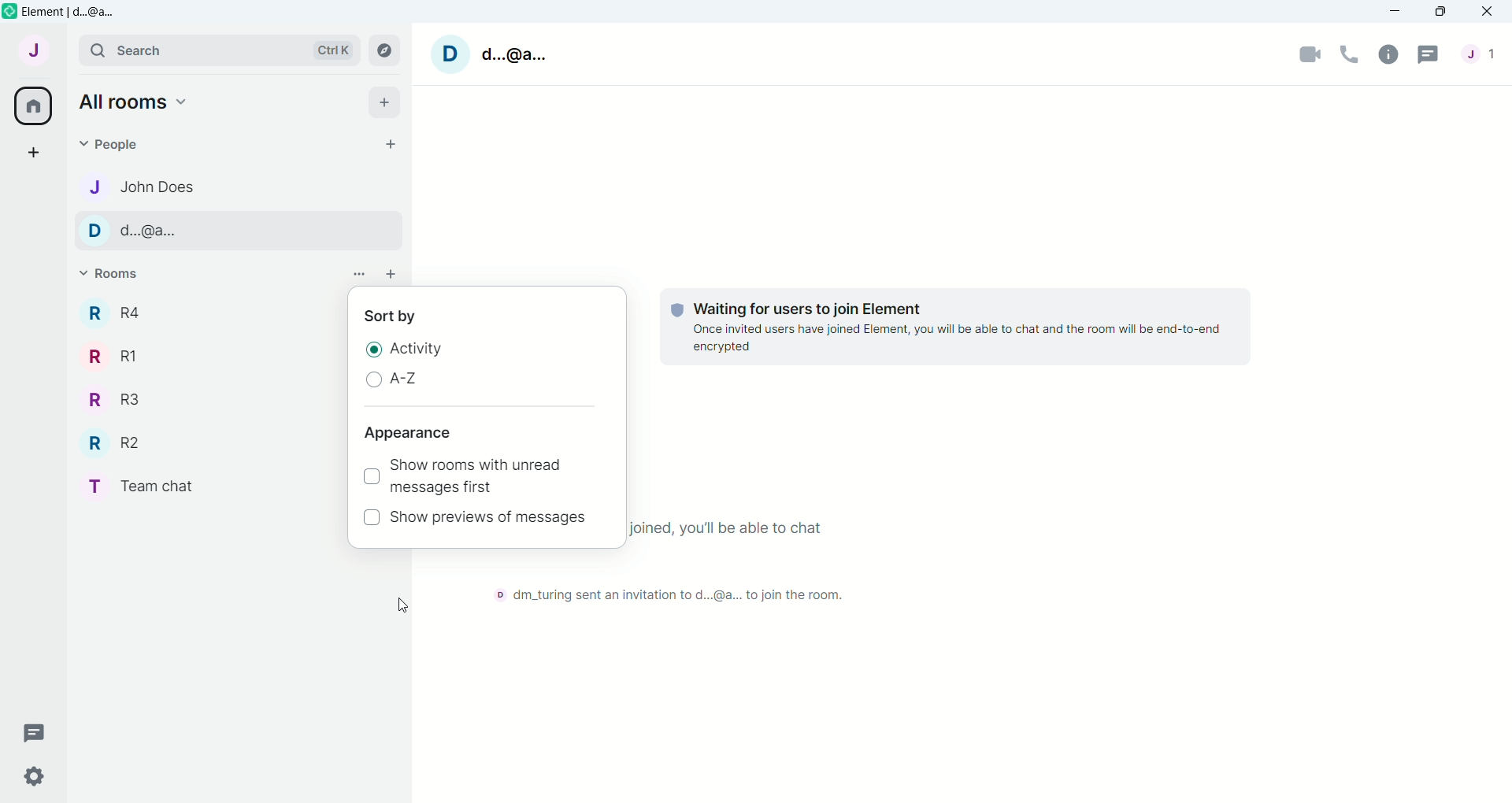 This screenshot has height=803, width=1512. I want to click on User Menu, so click(39, 50).